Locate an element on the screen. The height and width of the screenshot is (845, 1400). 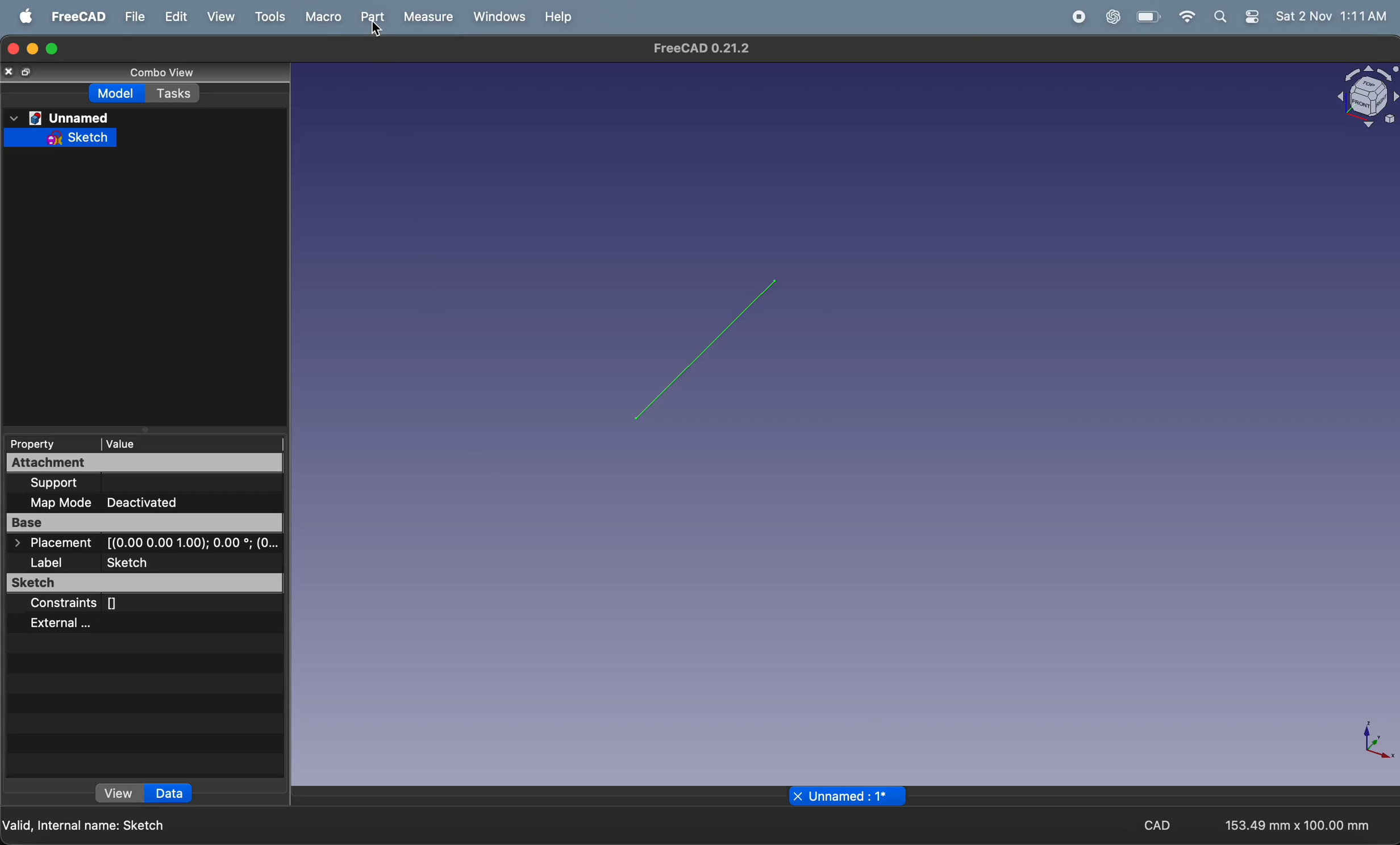
view is located at coordinates (114, 792).